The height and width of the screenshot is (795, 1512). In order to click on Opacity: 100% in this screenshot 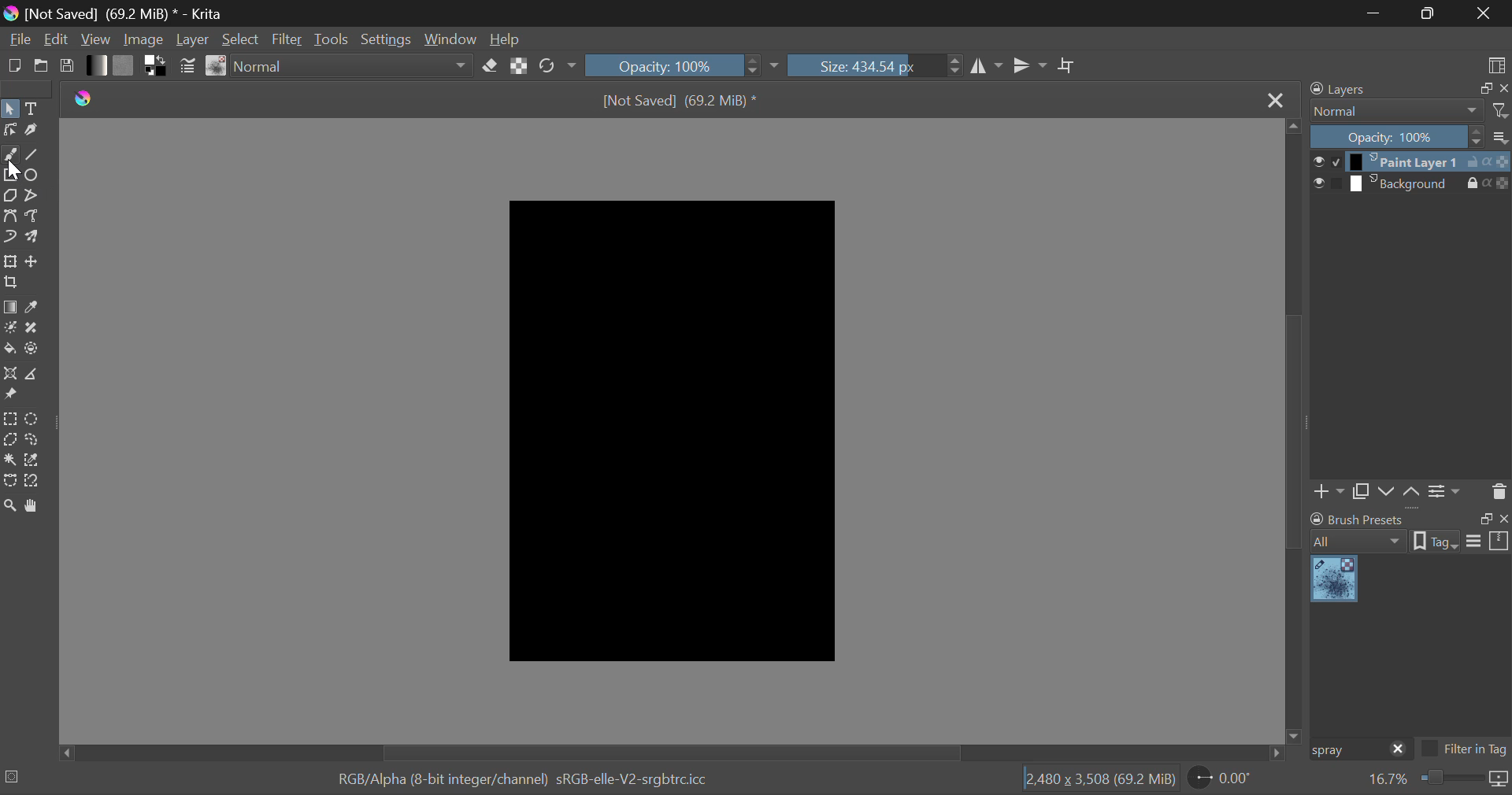, I will do `click(1397, 138)`.